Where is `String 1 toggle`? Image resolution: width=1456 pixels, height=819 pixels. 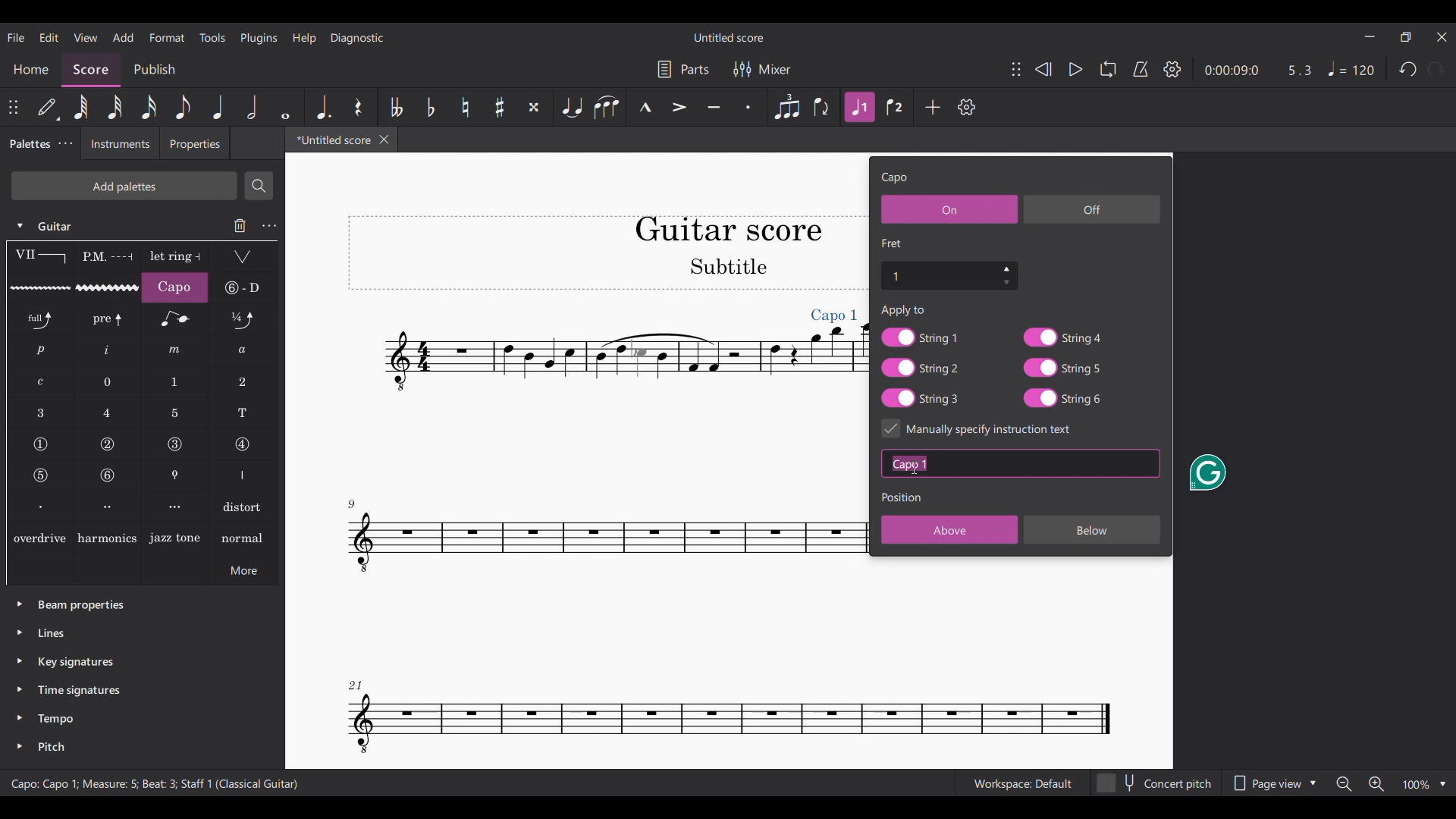
String 1 toggle is located at coordinates (920, 337).